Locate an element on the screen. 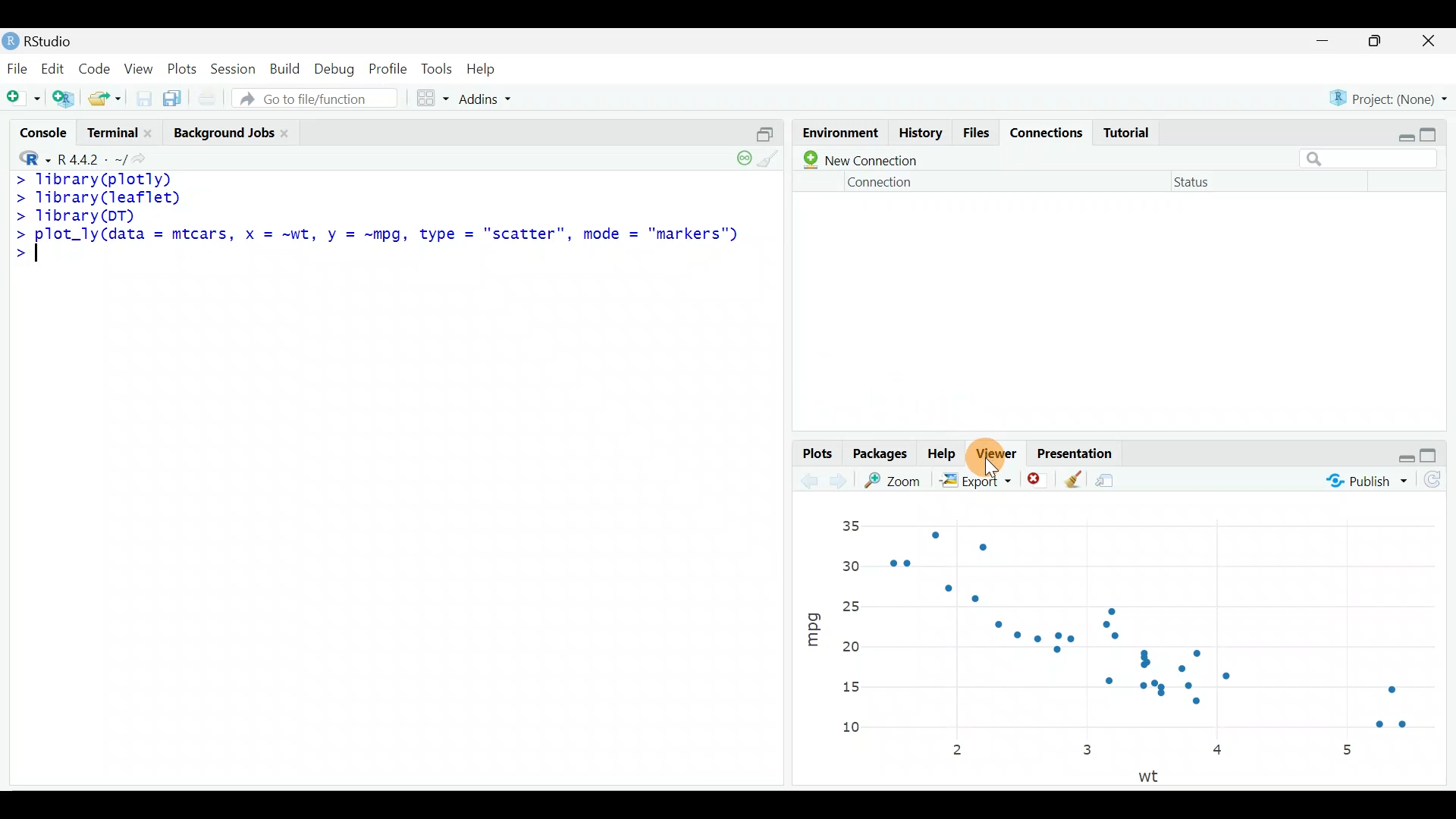 This screenshot has width=1456, height=819. Viewer is located at coordinates (998, 452).